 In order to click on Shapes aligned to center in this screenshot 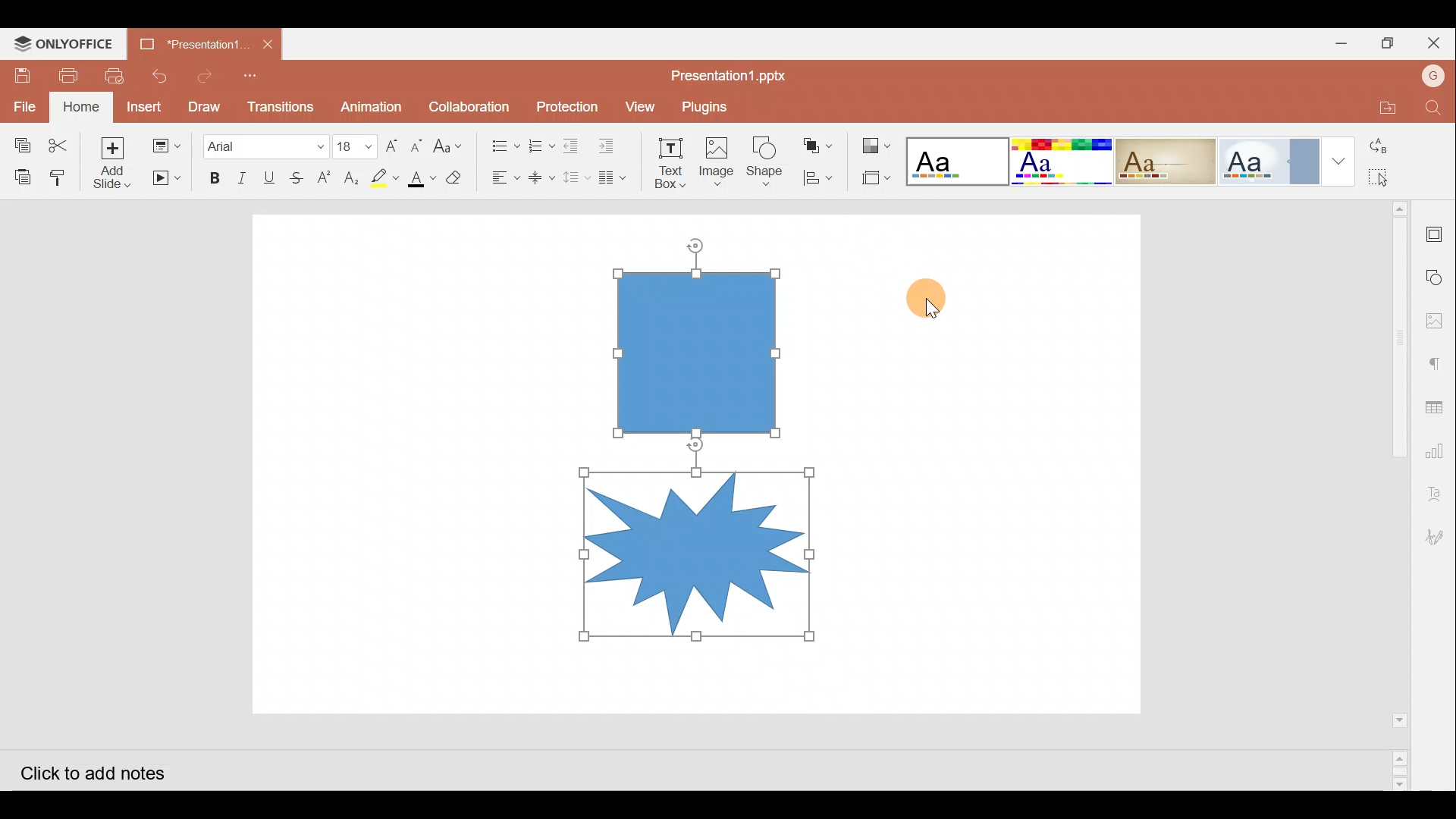, I will do `click(703, 456)`.